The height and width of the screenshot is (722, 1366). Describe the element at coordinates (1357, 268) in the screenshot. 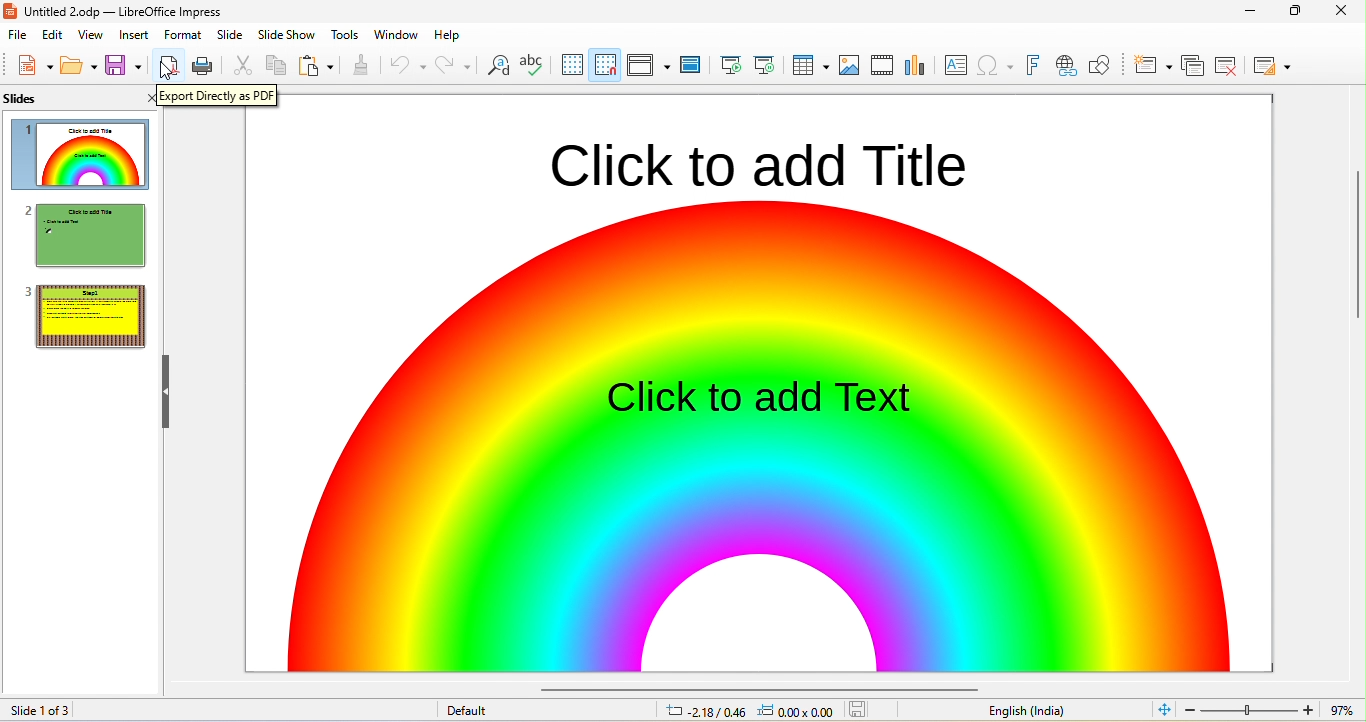

I see `vertical scroll bar` at that location.